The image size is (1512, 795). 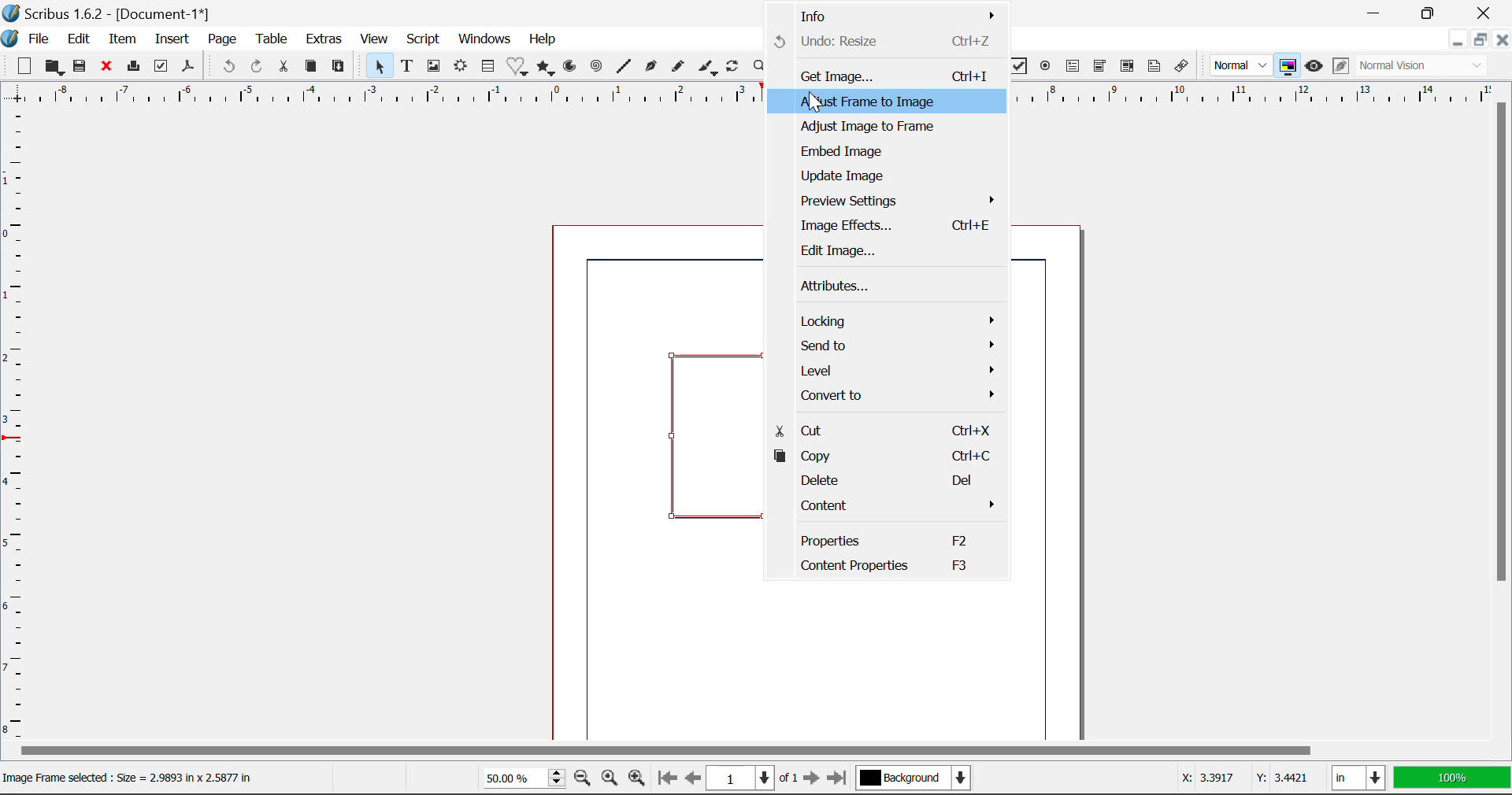 I want to click on Send to, so click(x=892, y=346).